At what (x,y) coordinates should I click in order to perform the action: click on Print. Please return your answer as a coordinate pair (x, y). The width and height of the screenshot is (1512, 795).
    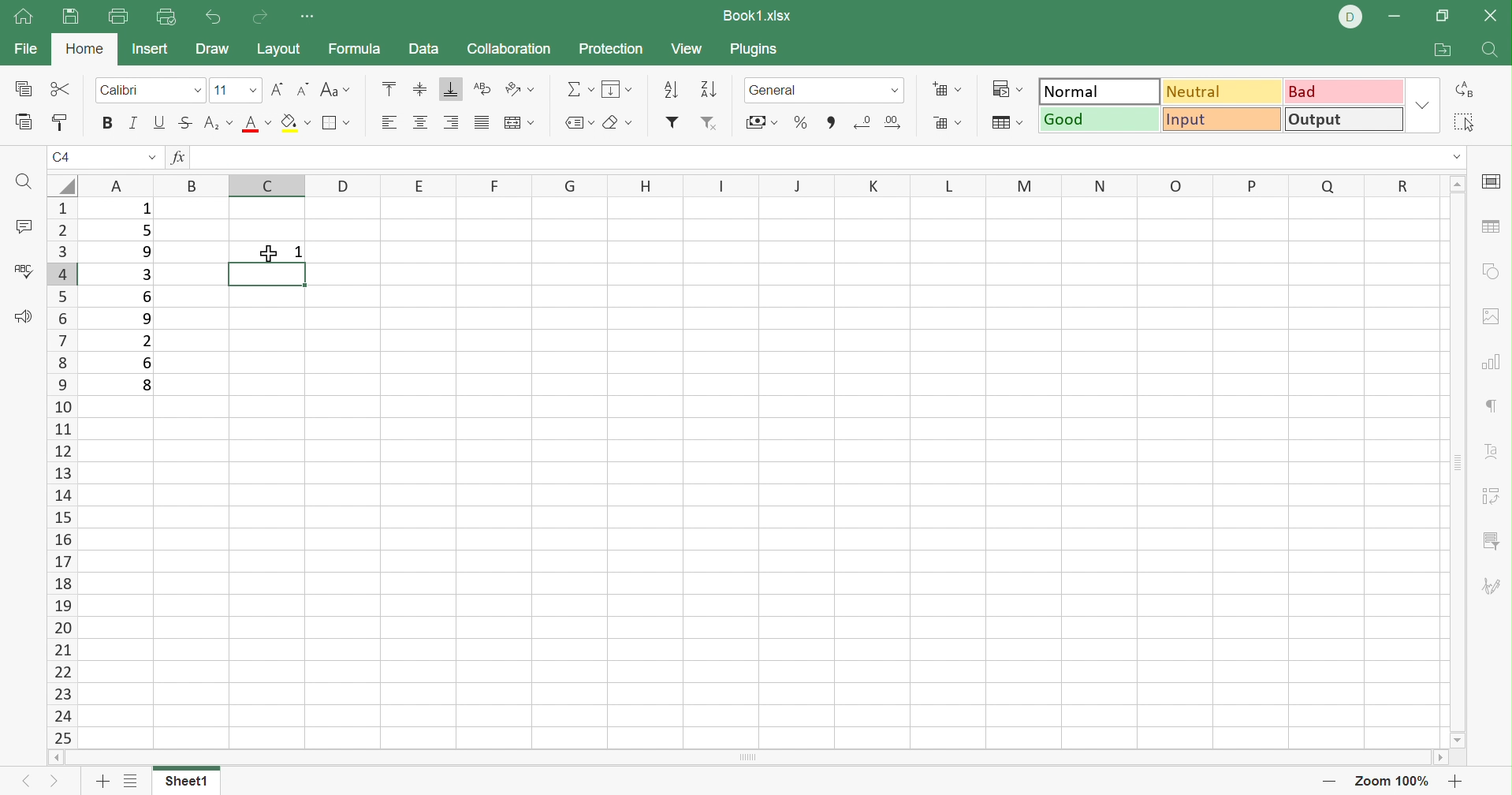
    Looking at the image, I should click on (121, 16).